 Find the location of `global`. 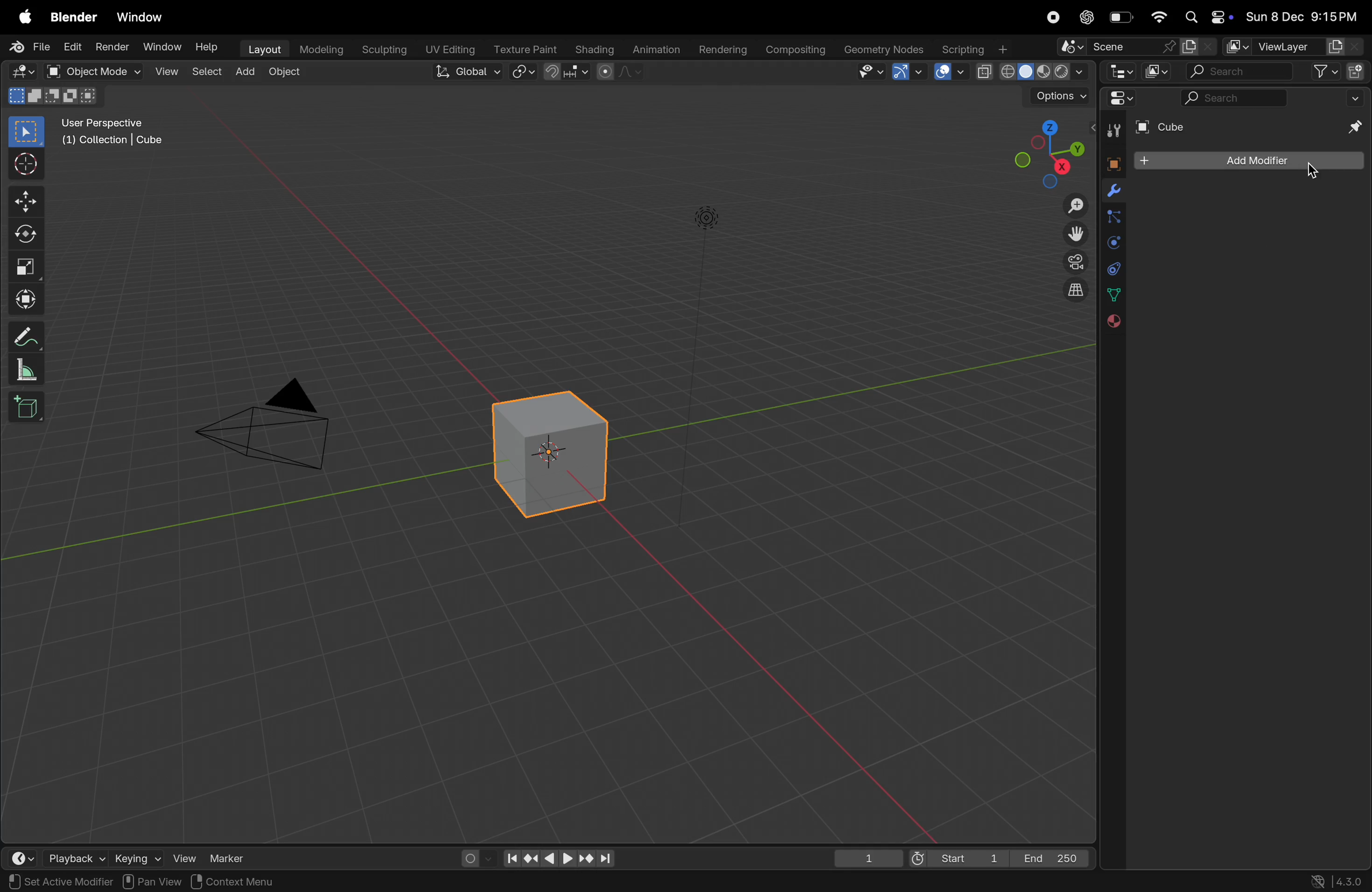

global is located at coordinates (469, 73).